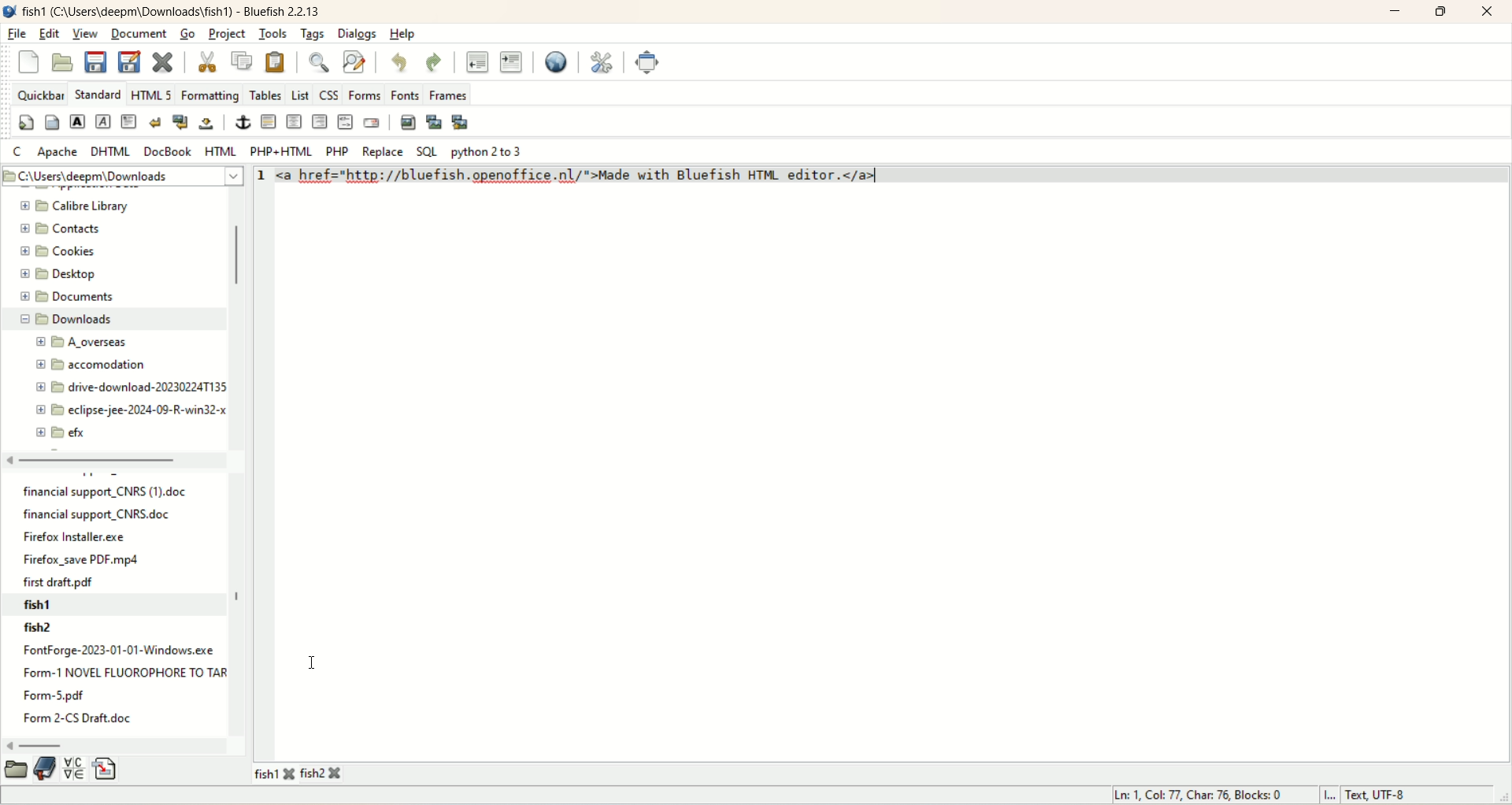 The height and width of the screenshot is (805, 1512). Describe the element at coordinates (120, 629) in the screenshot. I see `fish2` at that location.